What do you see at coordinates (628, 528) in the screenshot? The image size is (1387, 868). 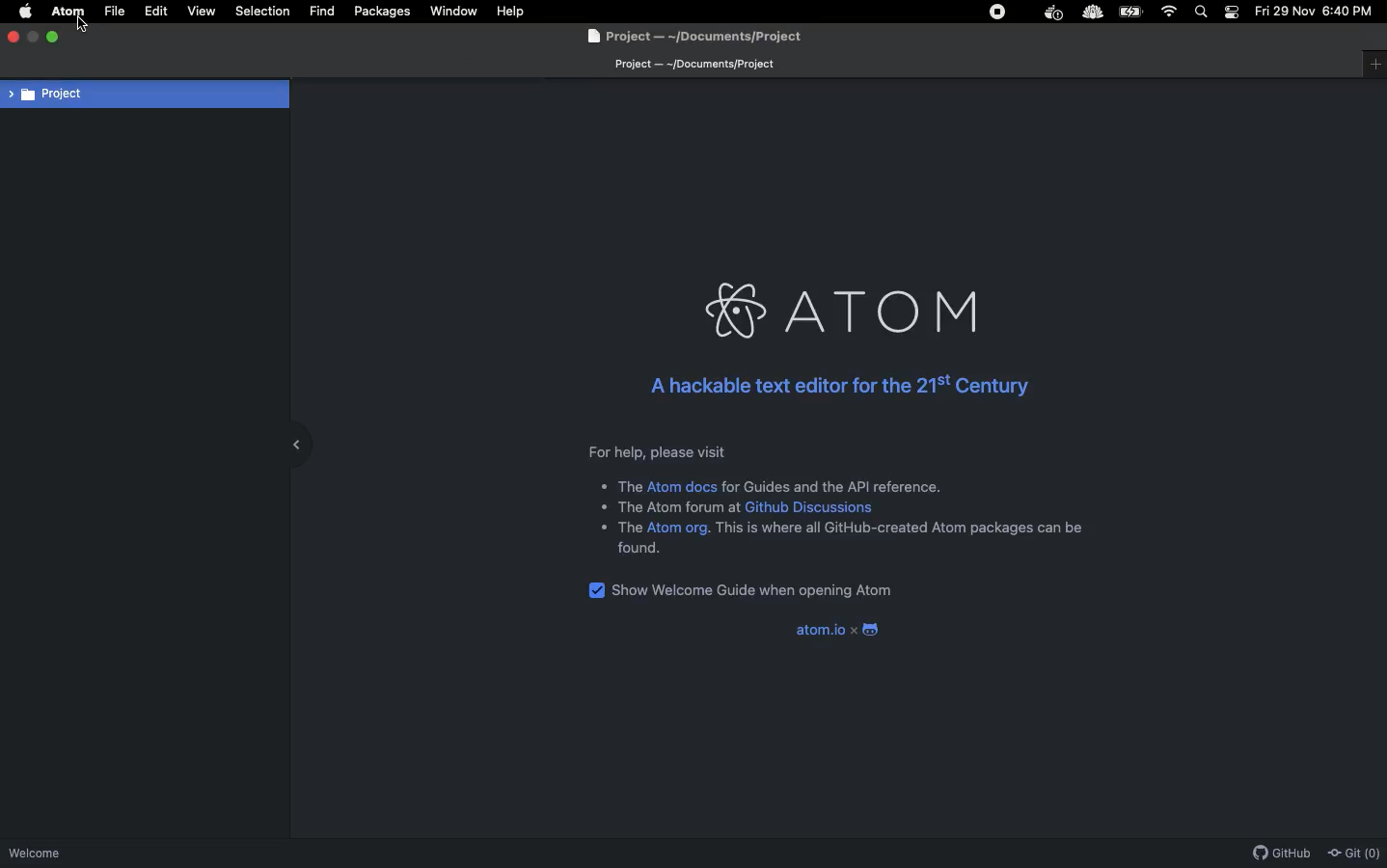 I see `` at bounding box center [628, 528].